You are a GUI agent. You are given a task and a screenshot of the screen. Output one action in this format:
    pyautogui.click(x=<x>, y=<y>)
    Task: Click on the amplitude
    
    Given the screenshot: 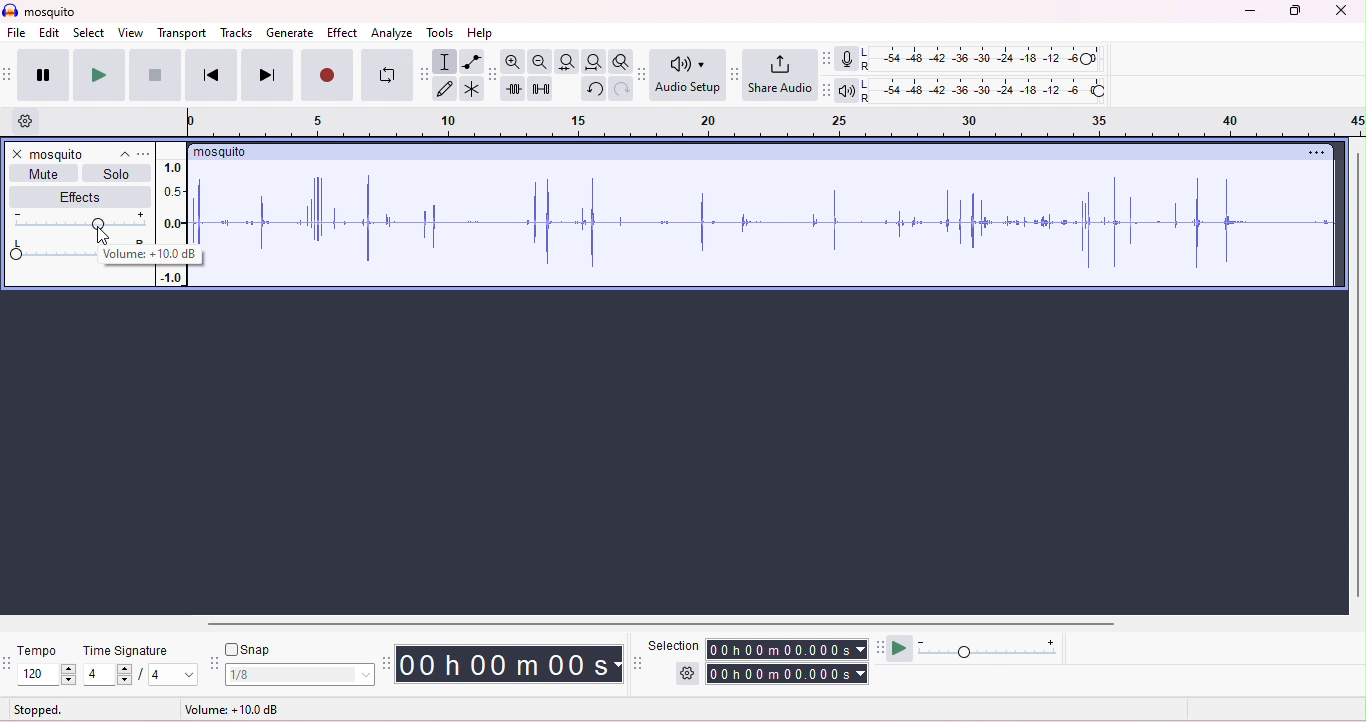 What is the action you would take?
    pyautogui.click(x=170, y=277)
    